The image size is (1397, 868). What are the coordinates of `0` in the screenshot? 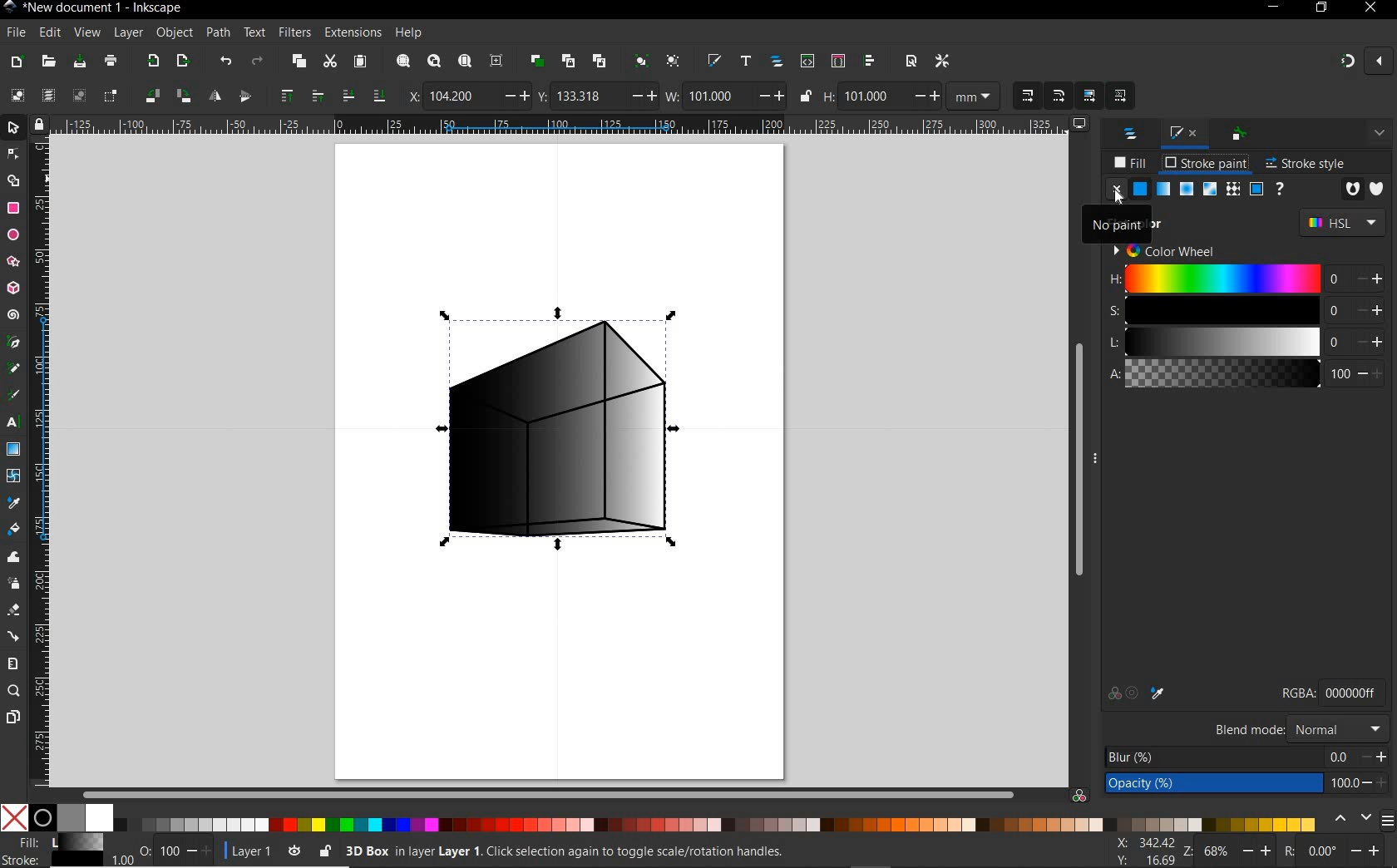 It's located at (1337, 279).